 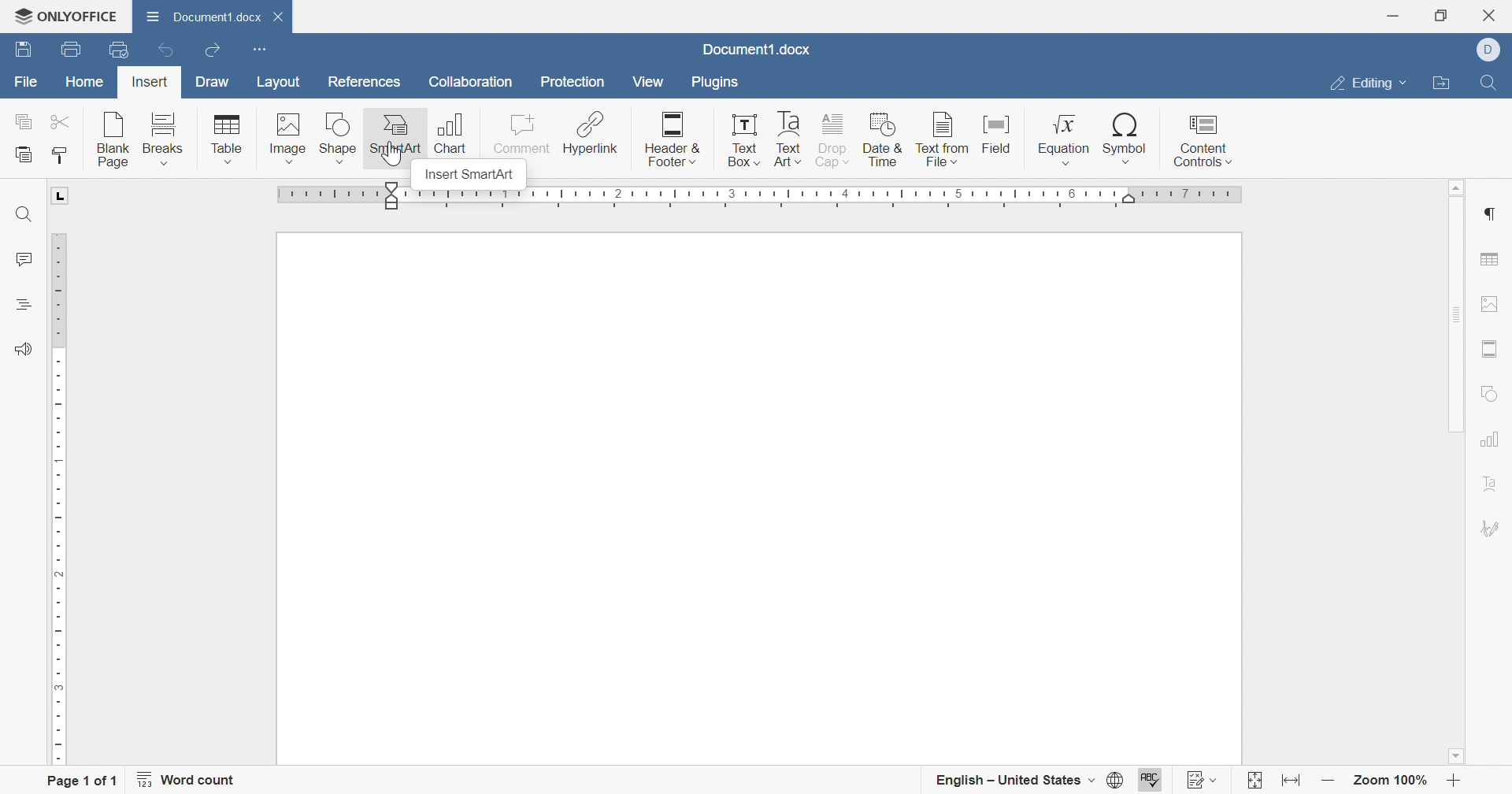 What do you see at coordinates (166, 137) in the screenshot?
I see `Breaks` at bounding box center [166, 137].